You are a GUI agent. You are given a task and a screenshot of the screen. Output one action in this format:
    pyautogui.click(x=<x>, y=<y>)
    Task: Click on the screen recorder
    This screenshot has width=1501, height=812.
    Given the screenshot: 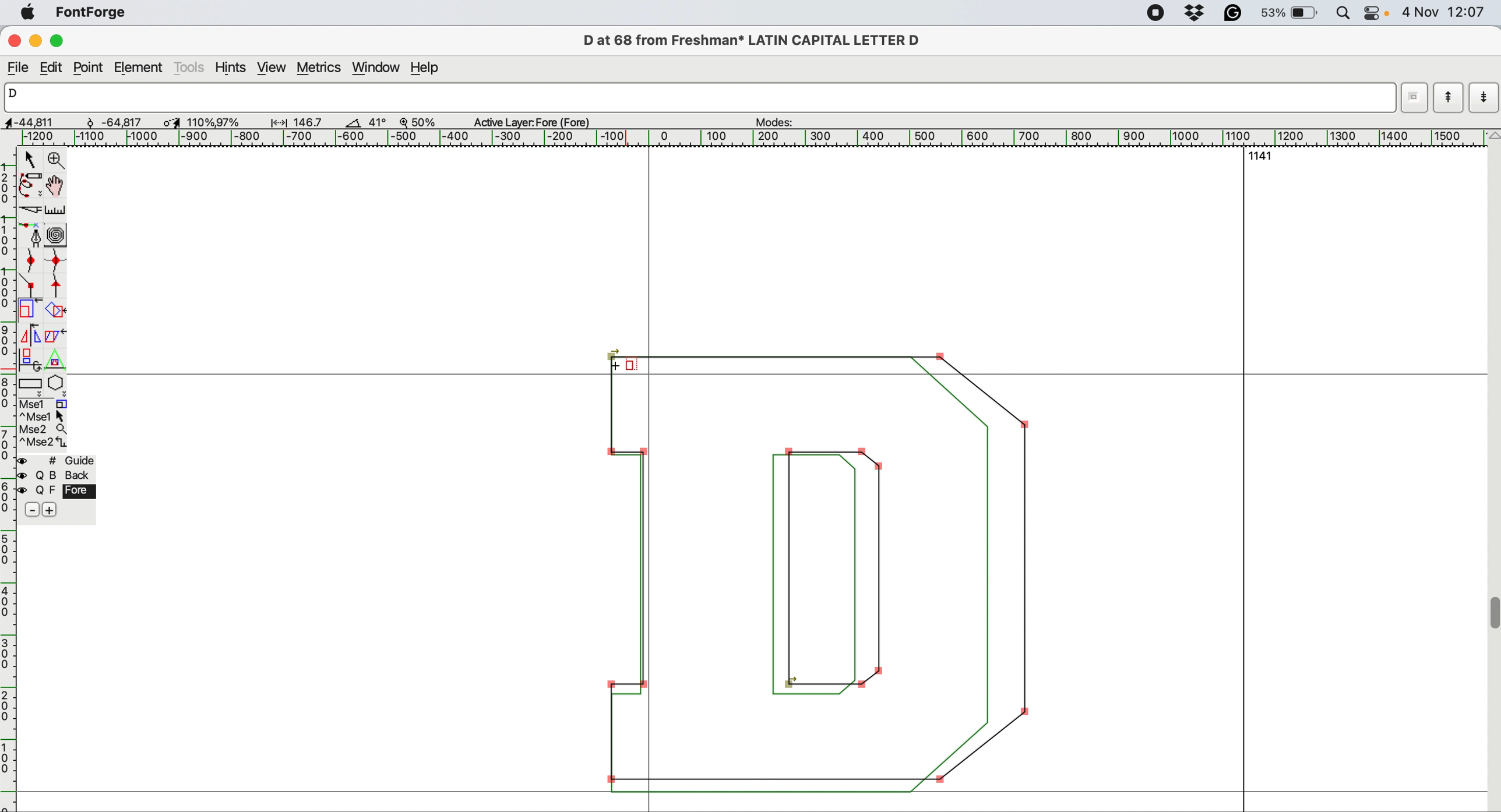 What is the action you would take?
    pyautogui.click(x=1158, y=15)
    